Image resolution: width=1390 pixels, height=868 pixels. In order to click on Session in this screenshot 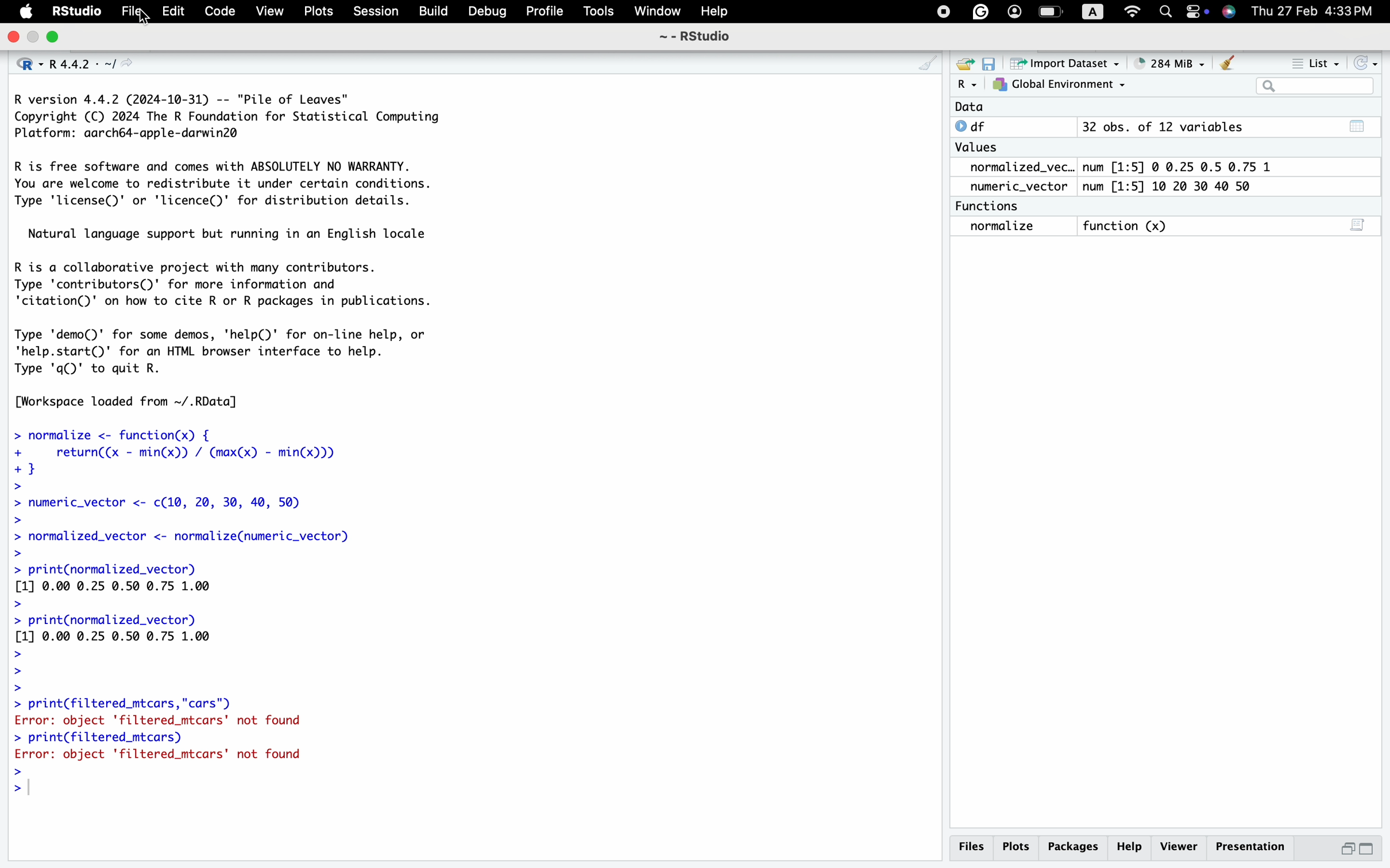, I will do `click(376, 13)`.